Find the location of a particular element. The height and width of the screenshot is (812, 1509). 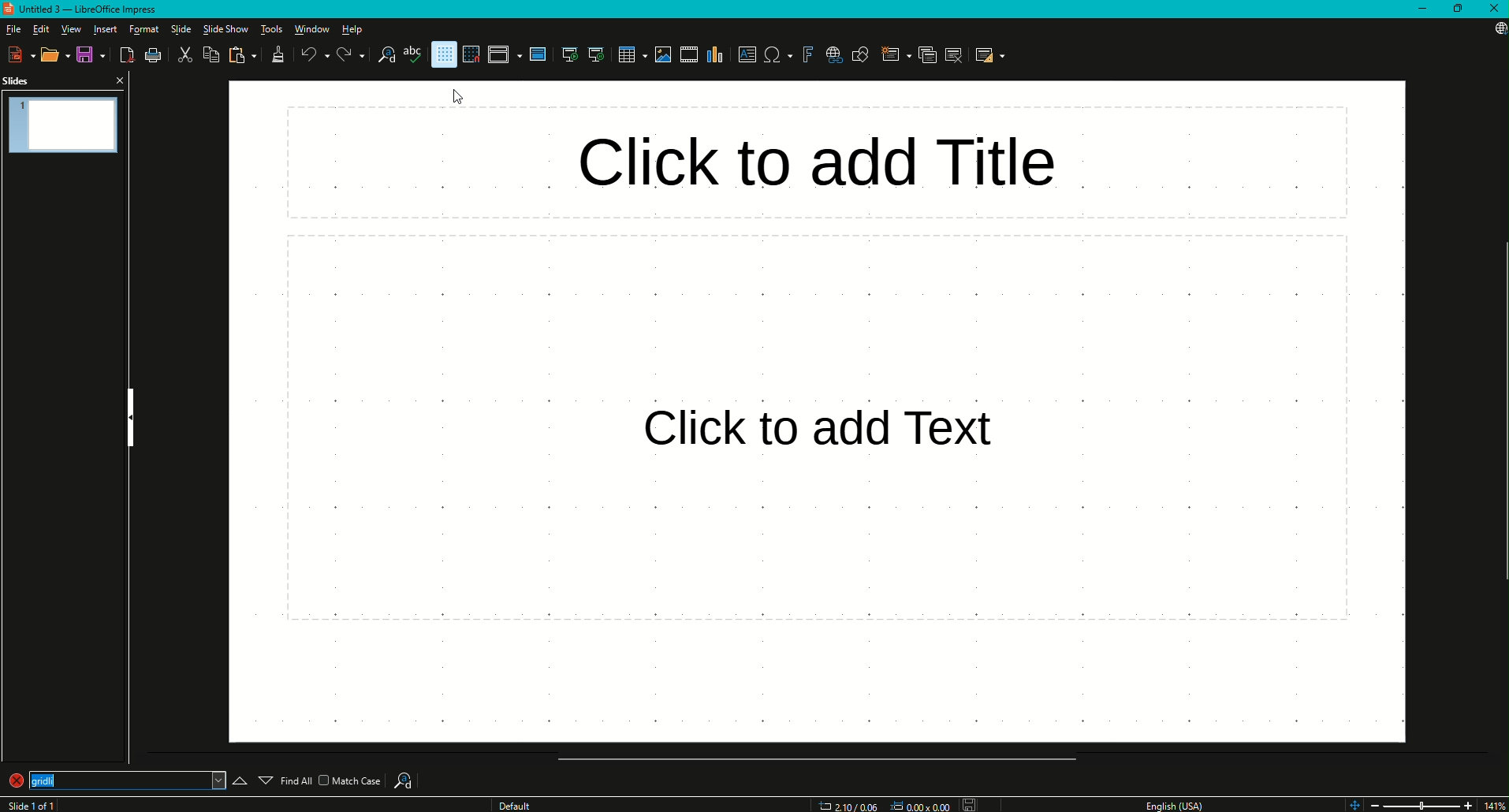

Find and replace is located at coordinates (380, 57).